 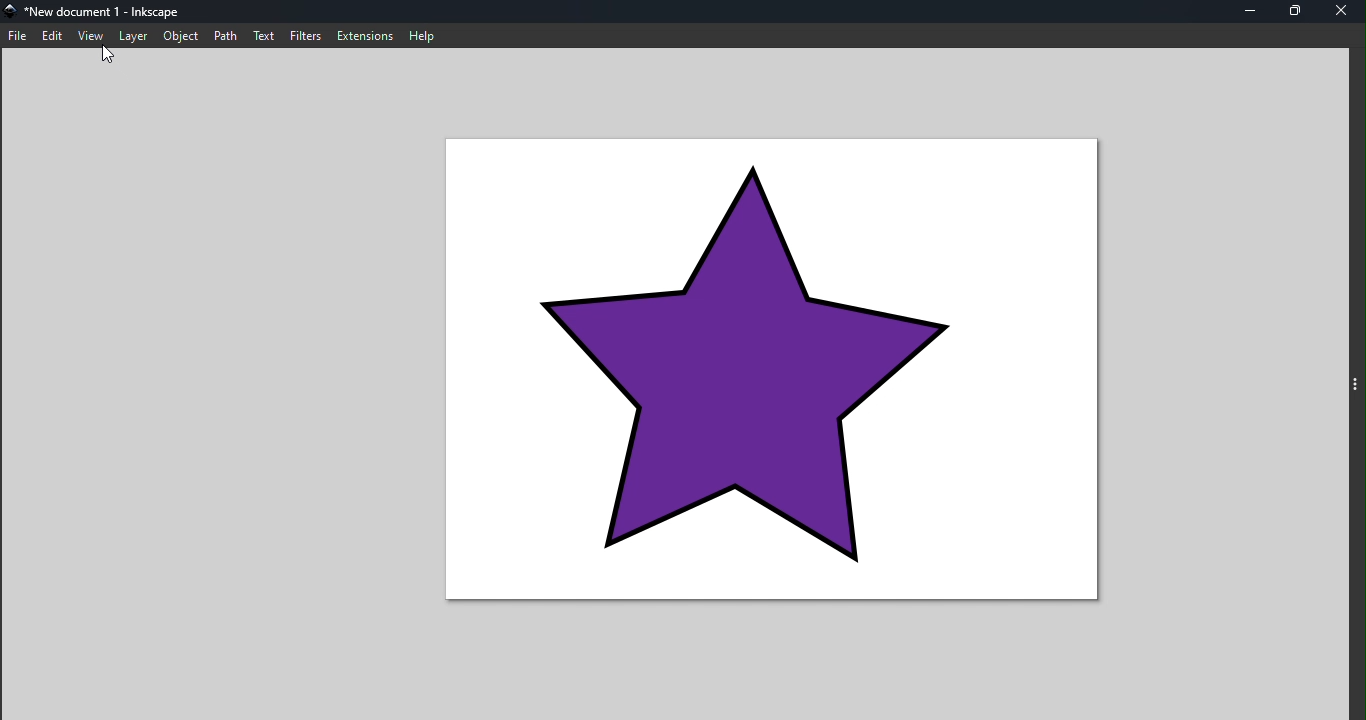 What do you see at coordinates (263, 36) in the screenshot?
I see `Text` at bounding box center [263, 36].